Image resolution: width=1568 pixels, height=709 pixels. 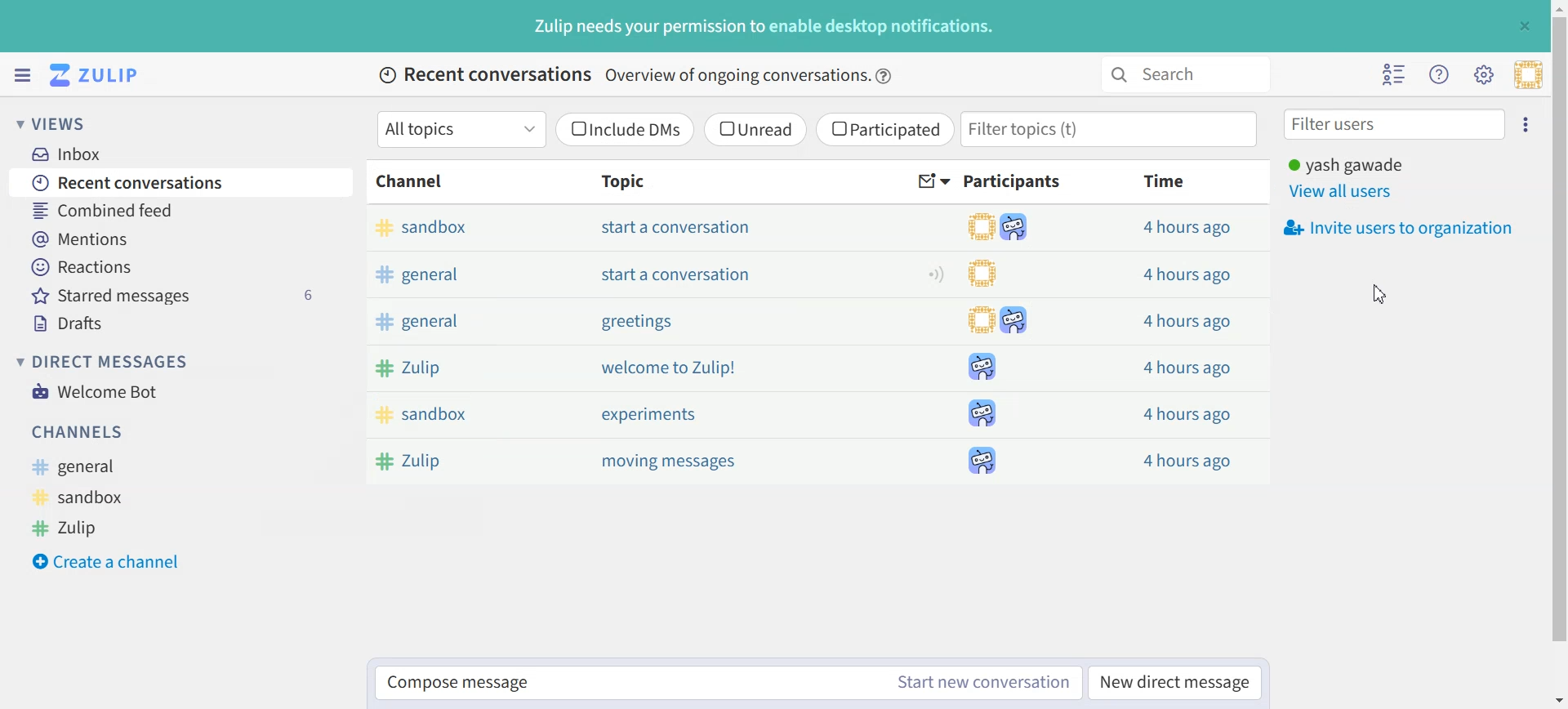 I want to click on 4 hours ago, so click(x=1185, y=366).